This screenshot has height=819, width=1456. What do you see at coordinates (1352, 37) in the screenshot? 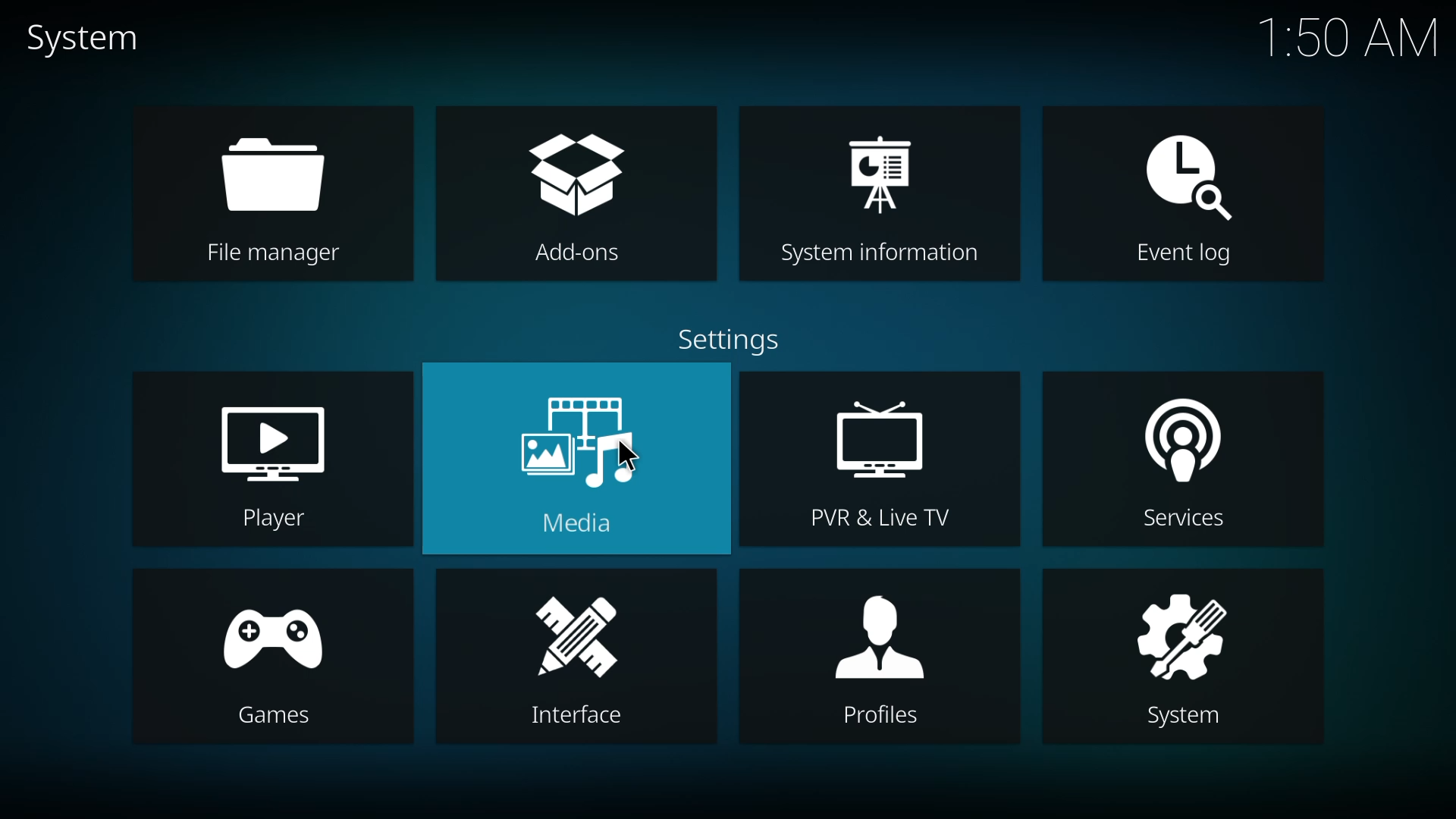
I see `time` at bounding box center [1352, 37].